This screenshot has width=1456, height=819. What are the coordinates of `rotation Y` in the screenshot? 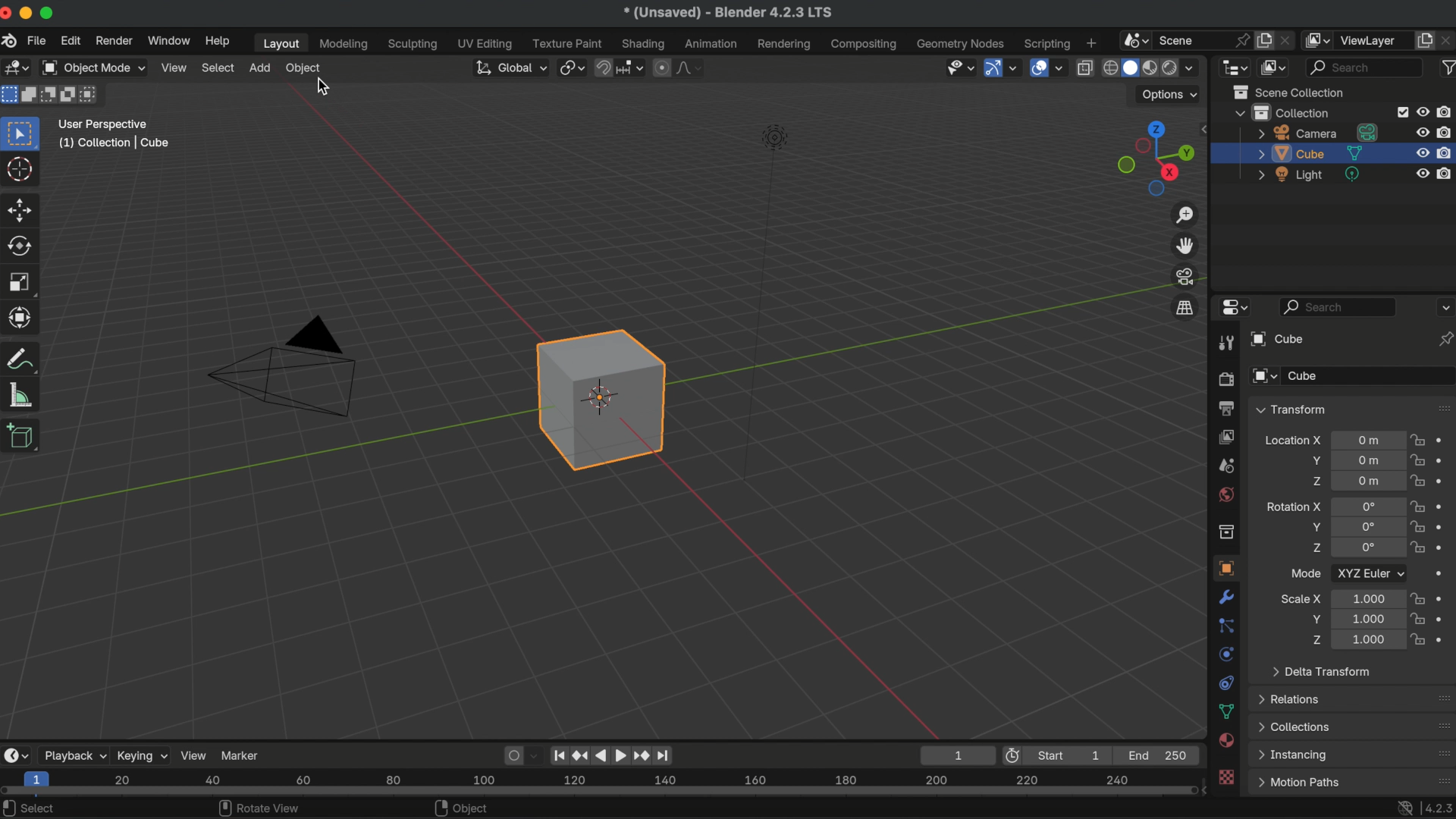 It's located at (1314, 527).